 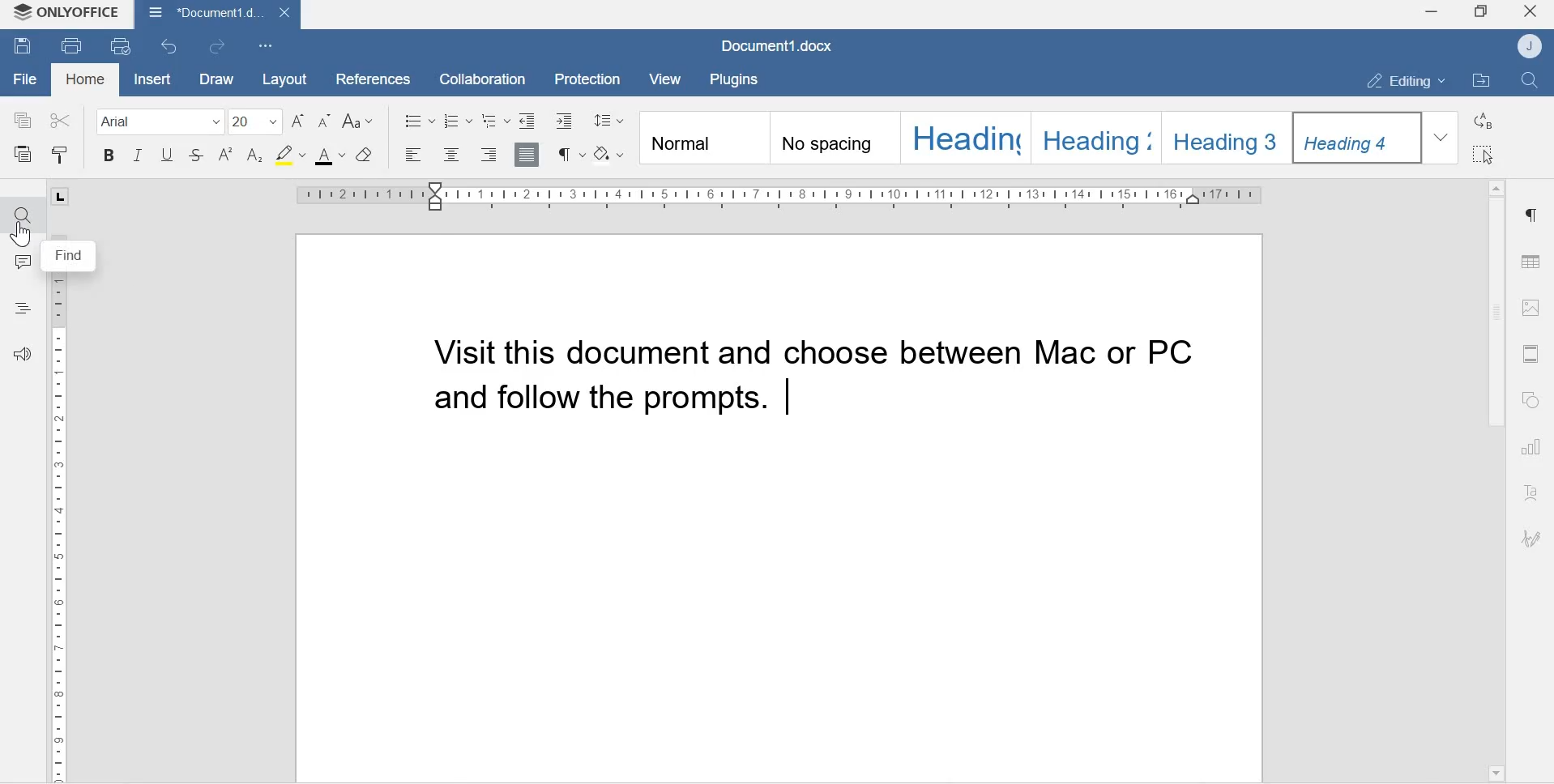 I want to click on Document1.docx, so click(x=216, y=14).